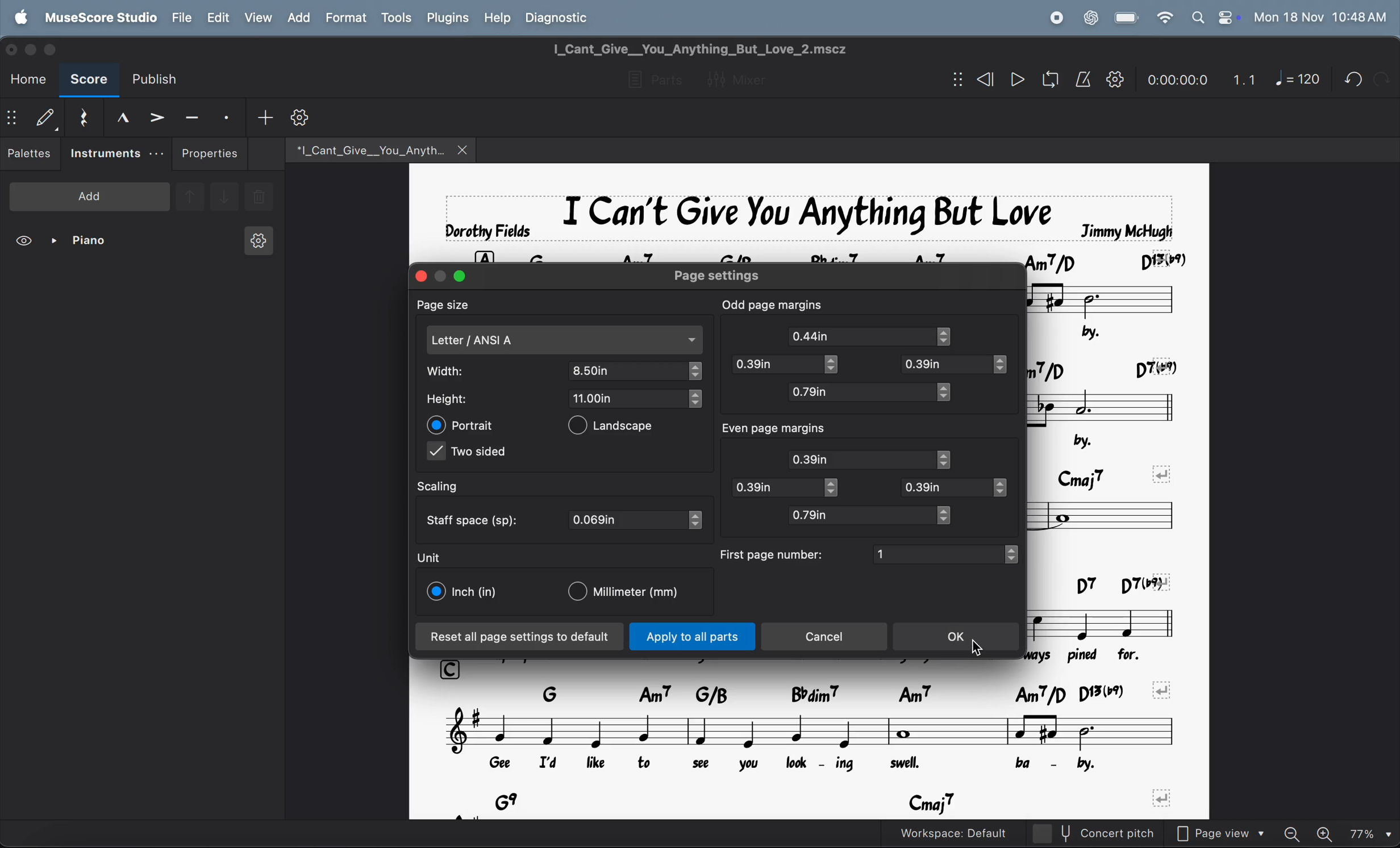 Image resolution: width=1400 pixels, height=848 pixels. What do you see at coordinates (859, 392) in the screenshot?
I see `0.79in` at bounding box center [859, 392].